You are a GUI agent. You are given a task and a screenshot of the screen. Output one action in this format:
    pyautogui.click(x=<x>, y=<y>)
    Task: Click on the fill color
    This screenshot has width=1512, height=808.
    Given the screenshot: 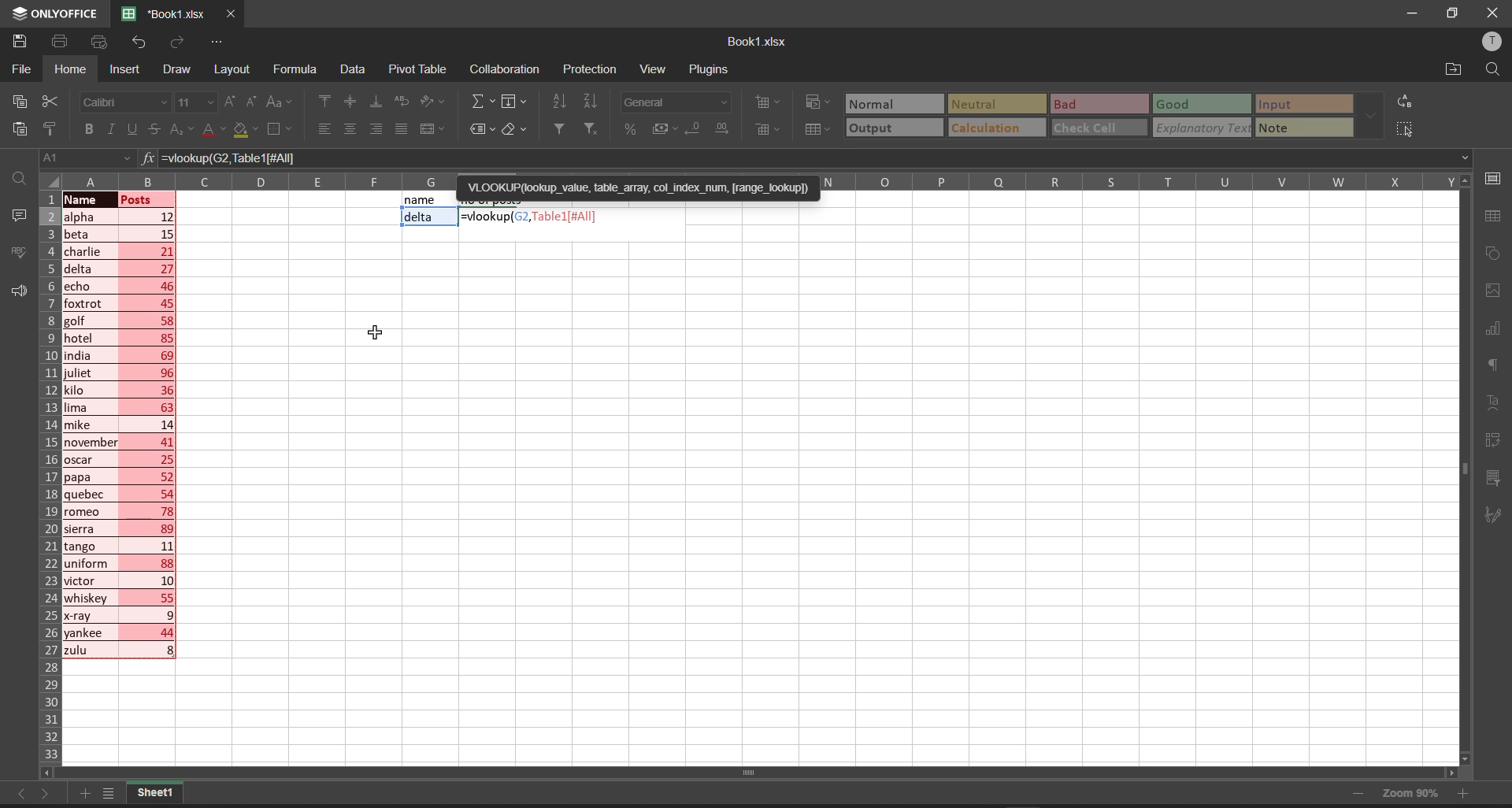 What is the action you would take?
    pyautogui.click(x=247, y=131)
    